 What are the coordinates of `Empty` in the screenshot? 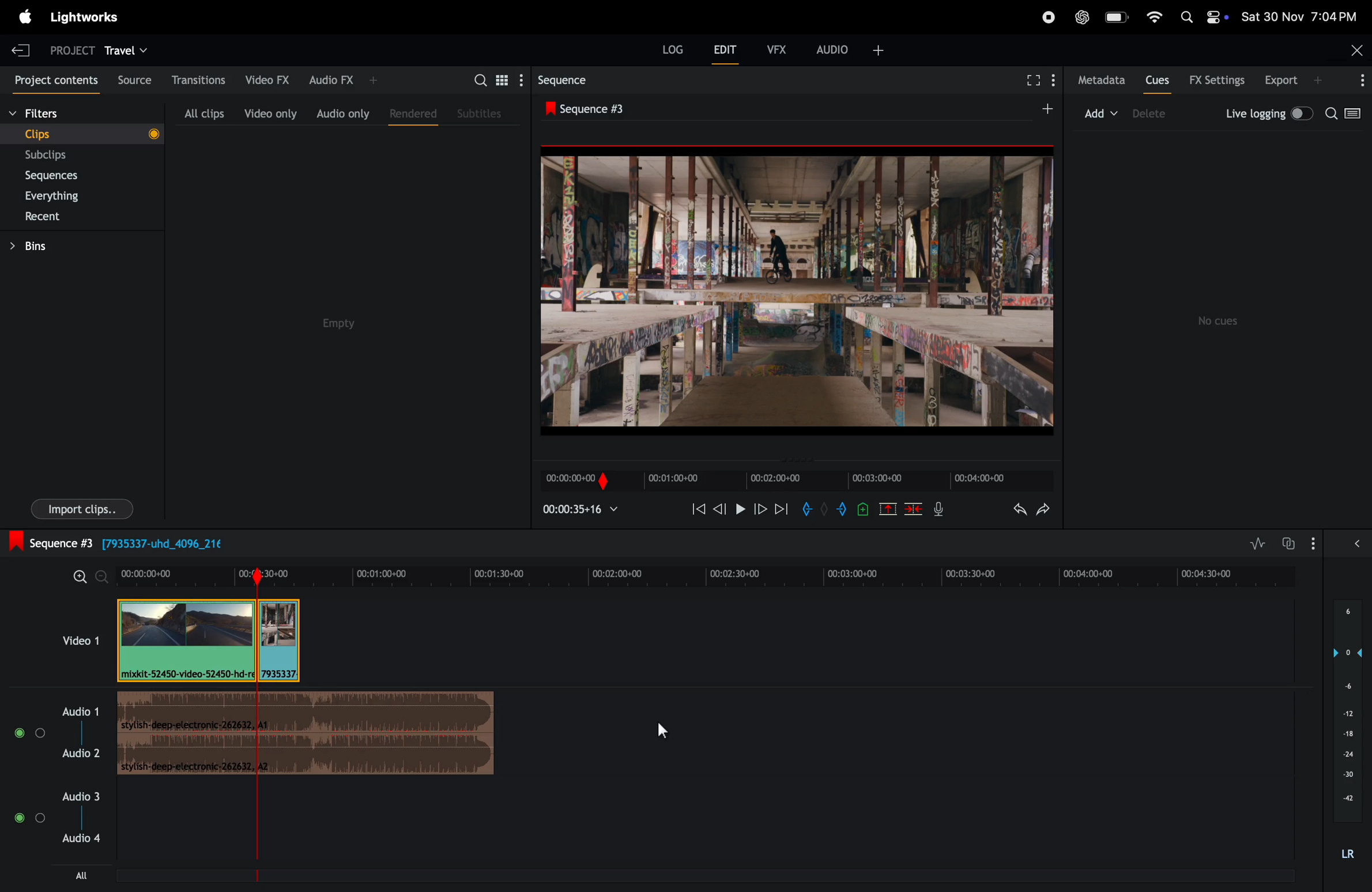 It's located at (355, 330).